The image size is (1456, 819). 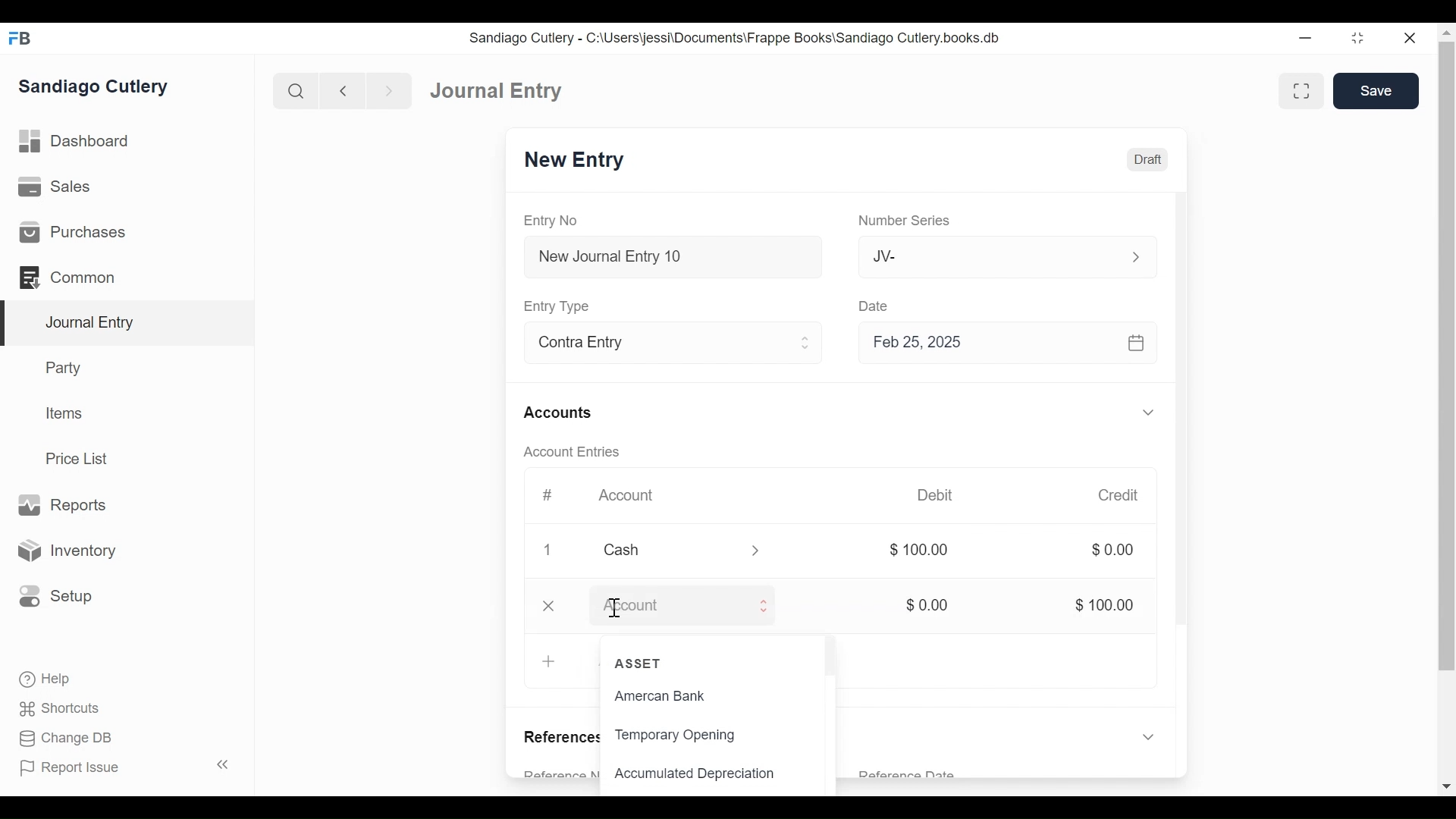 What do you see at coordinates (1107, 604) in the screenshot?
I see `$100.00` at bounding box center [1107, 604].